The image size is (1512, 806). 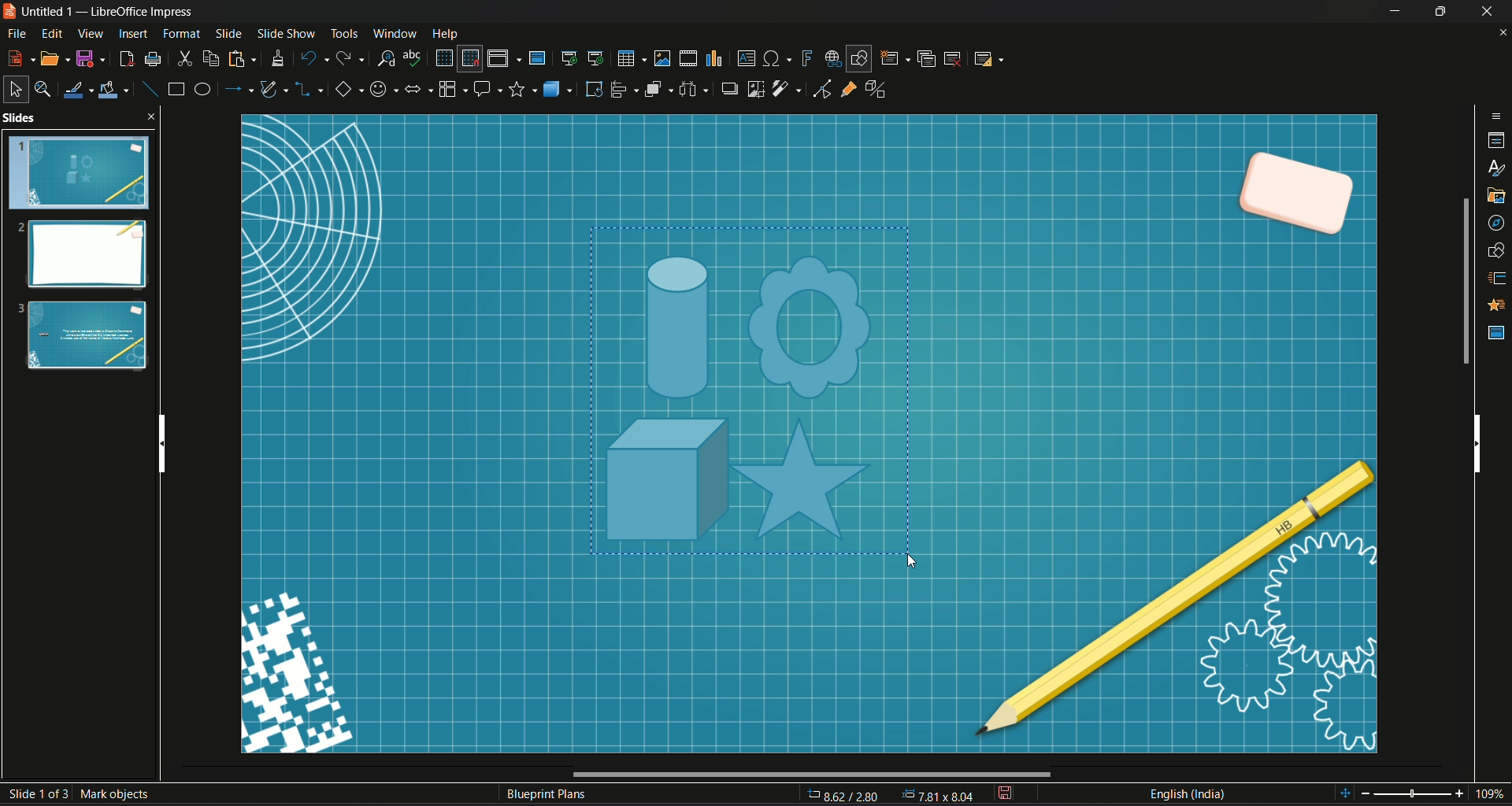 What do you see at coordinates (547, 796) in the screenshot?
I see `Text` at bounding box center [547, 796].